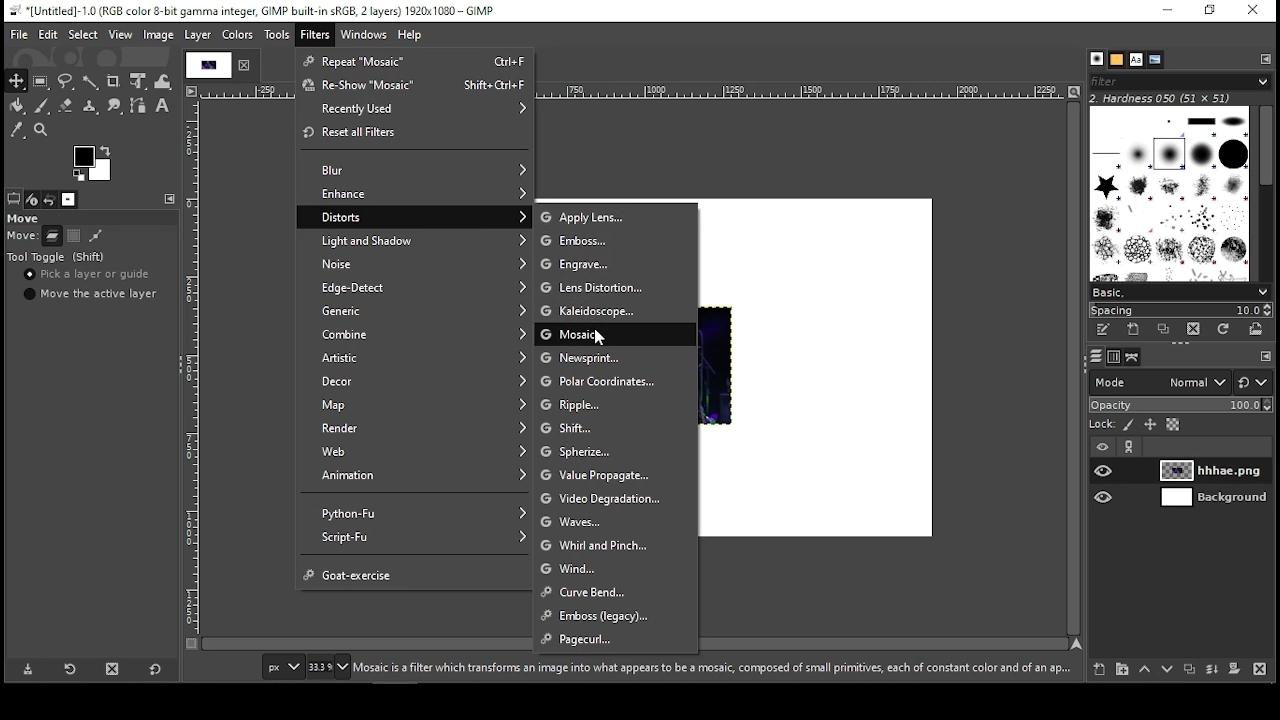 The image size is (1280, 720). Describe the element at coordinates (413, 133) in the screenshot. I see `reset all filters` at that location.